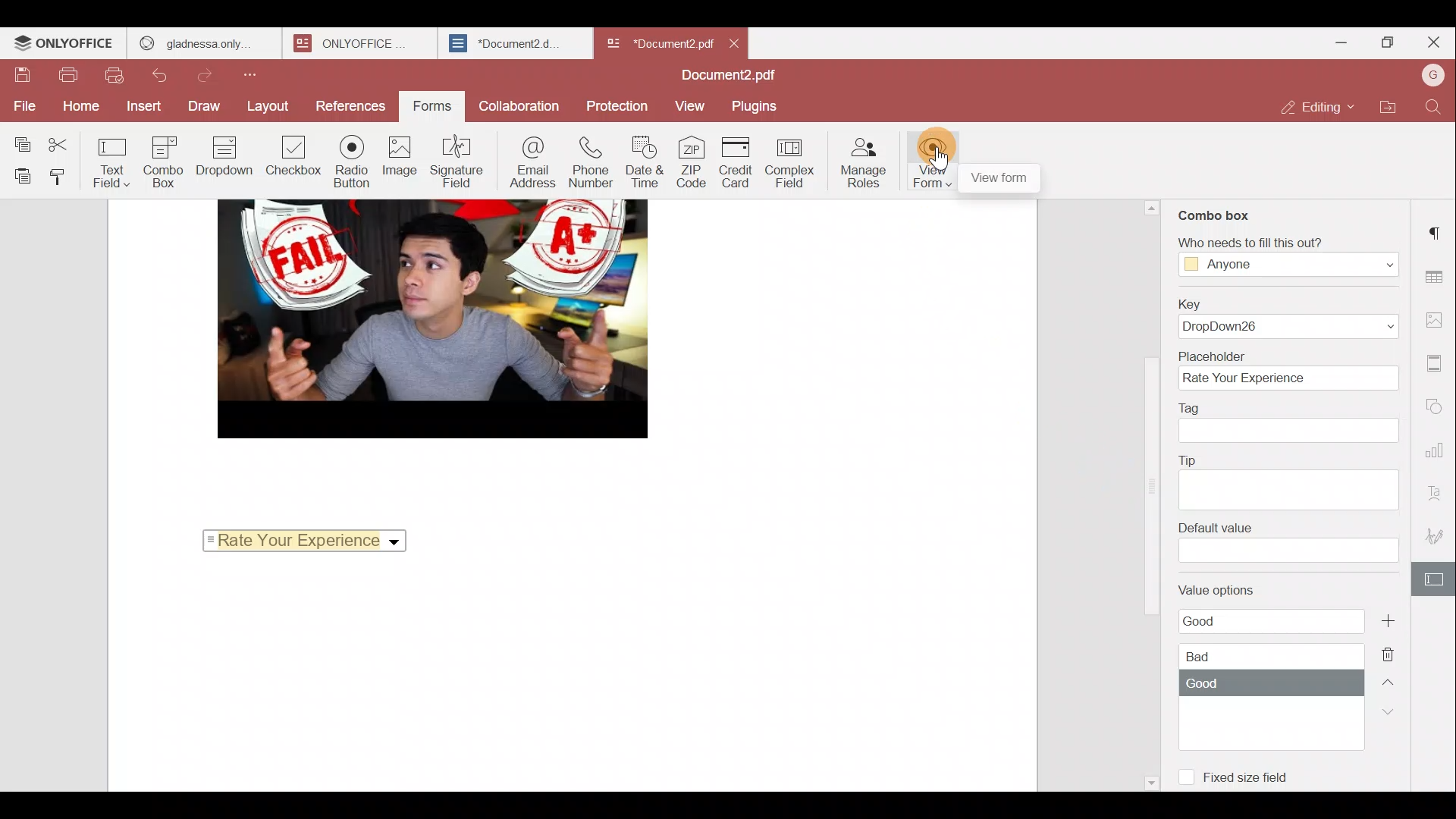 The image size is (1456, 819). Describe the element at coordinates (1216, 212) in the screenshot. I see `Combo box` at that location.